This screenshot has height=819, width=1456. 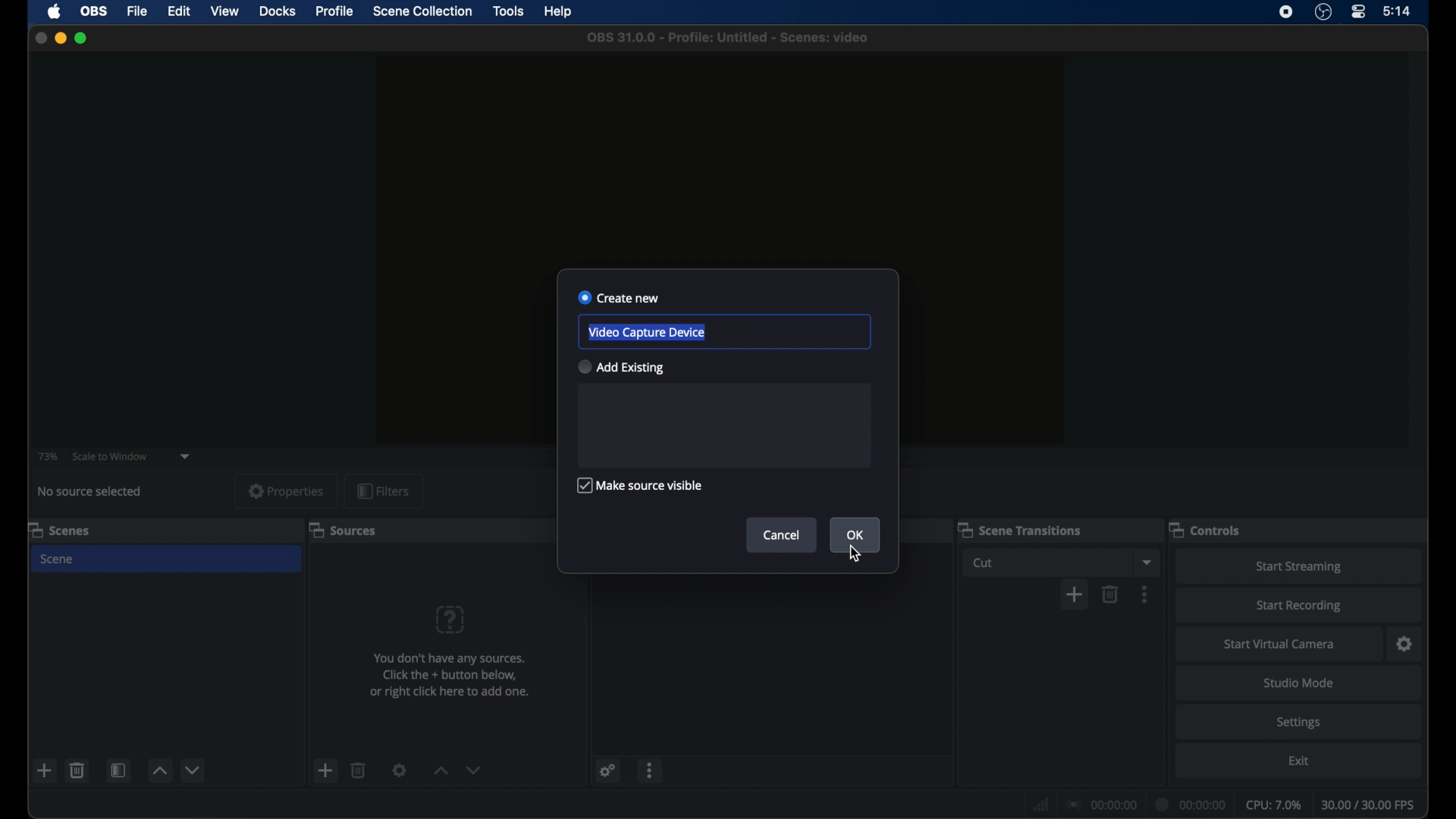 What do you see at coordinates (287, 492) in the screenshot?
I see `properties` at bounding box center [287, 492].